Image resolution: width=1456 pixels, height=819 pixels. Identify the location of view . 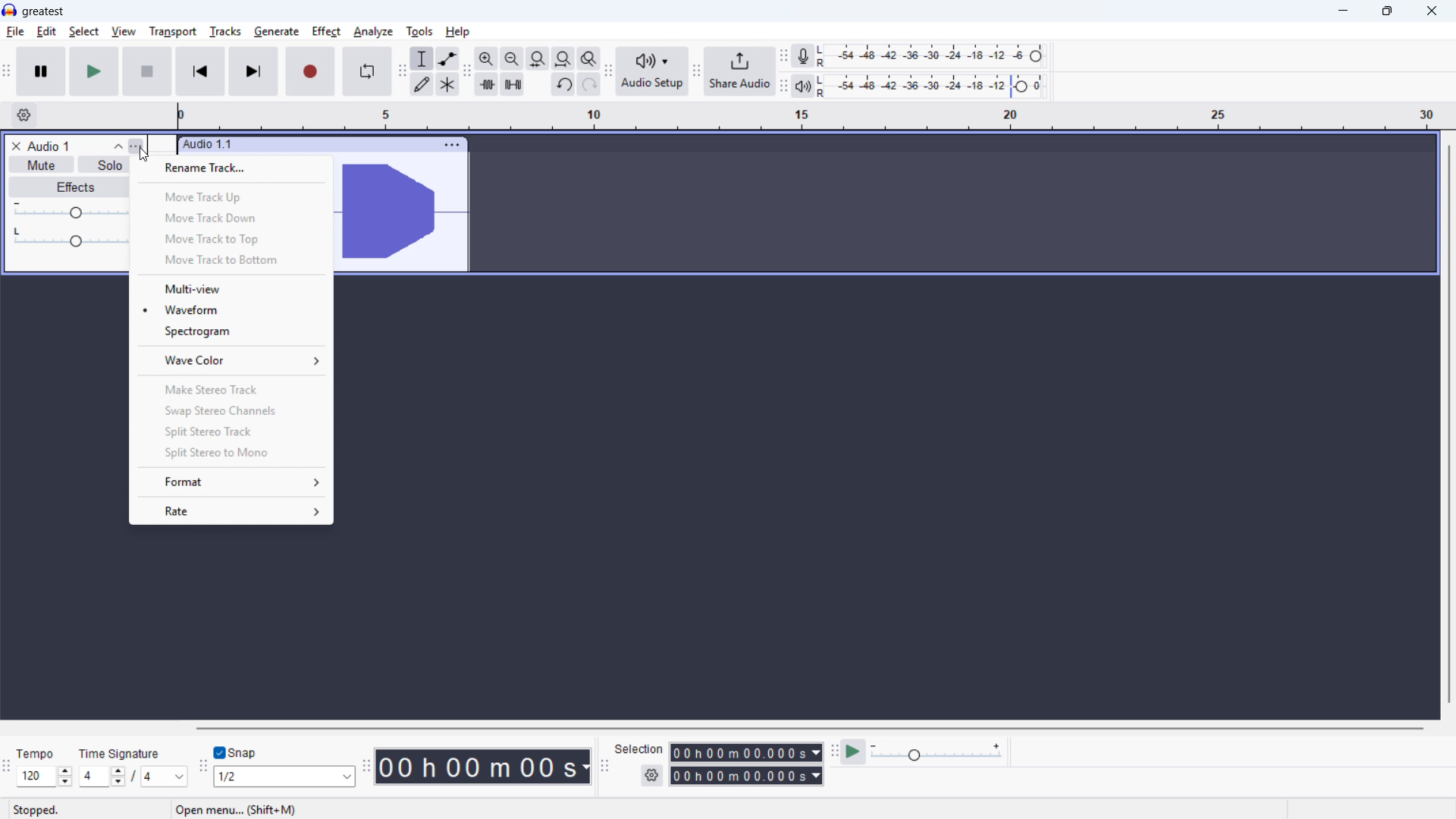
(124, 31).